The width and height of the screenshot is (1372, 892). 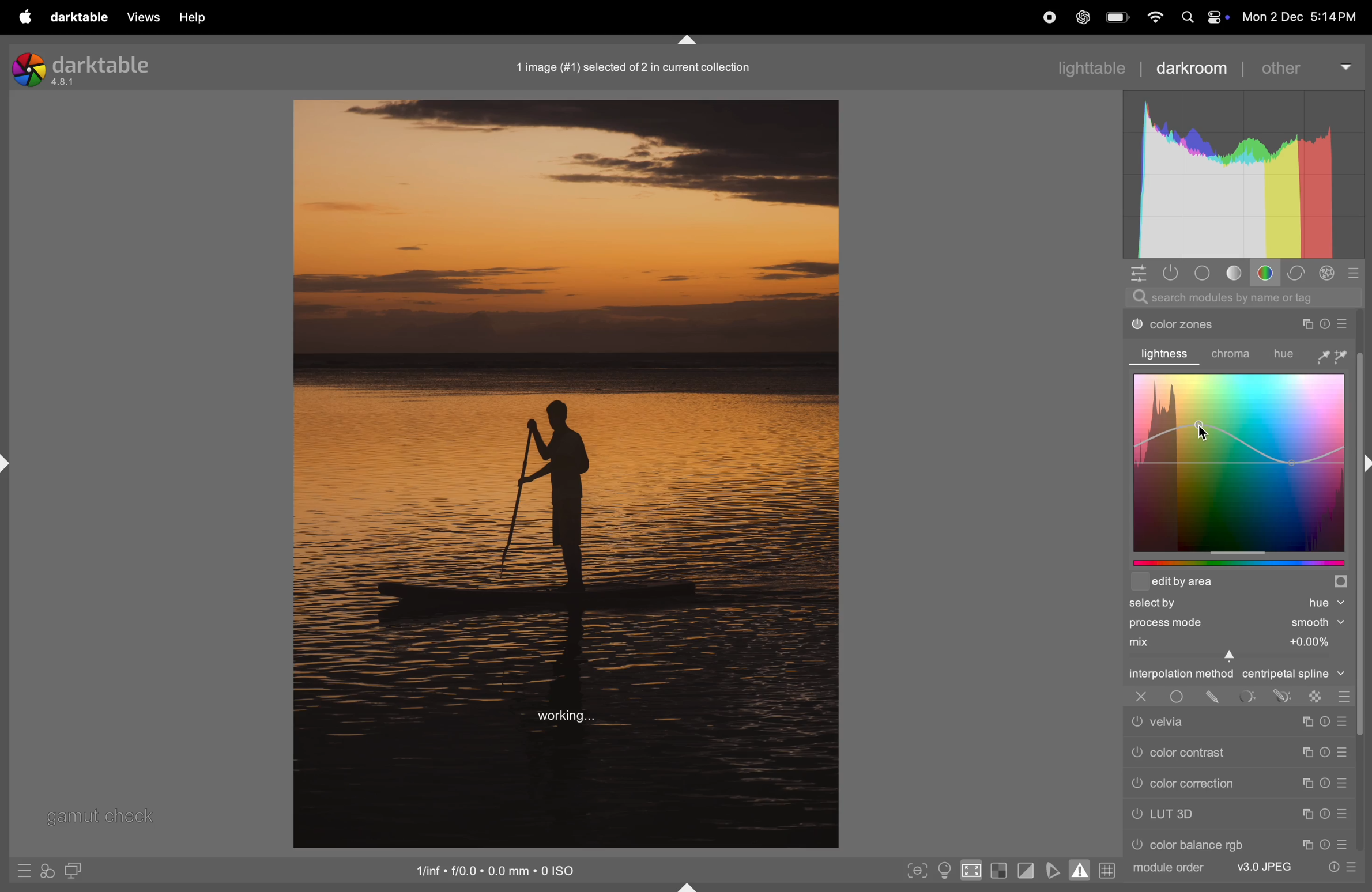 What do you see at coordinates (1342, 781) in the screenshot?
I see `preset` at bounding box center [1342, 781].